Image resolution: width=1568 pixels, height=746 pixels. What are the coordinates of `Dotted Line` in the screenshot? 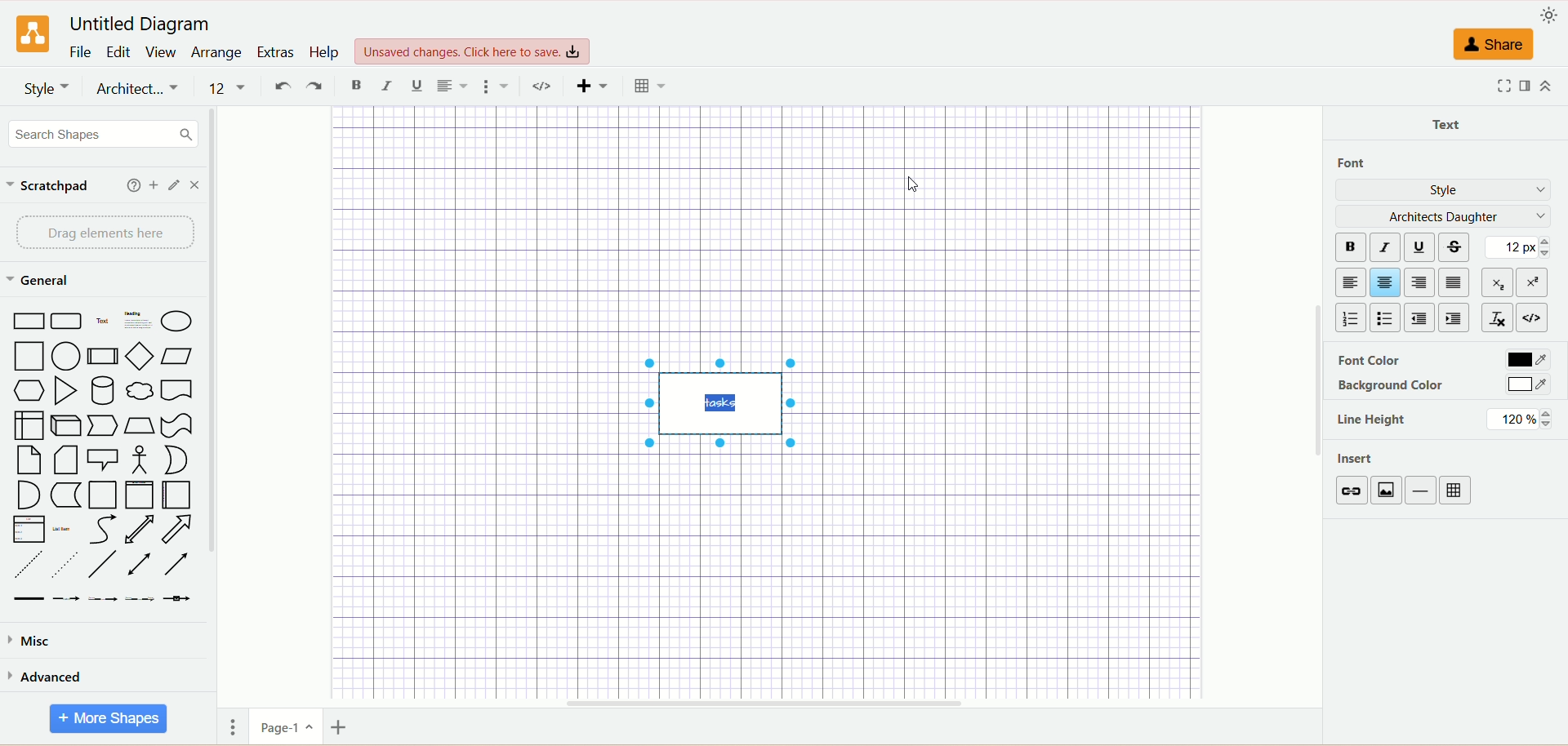 It's located at (29, 566).